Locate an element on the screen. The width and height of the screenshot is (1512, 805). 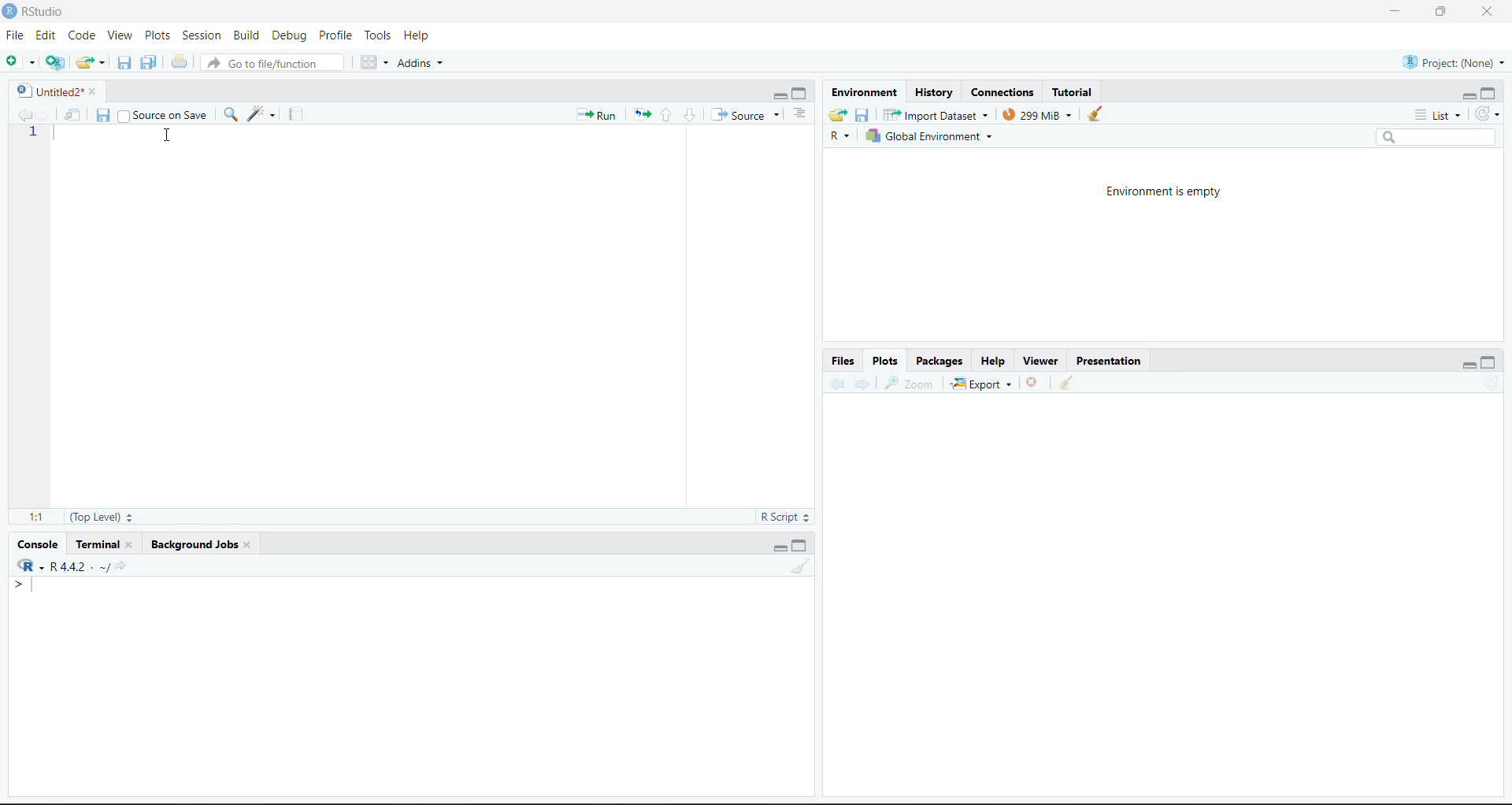
maximize is located at coordinates (1491, 362).